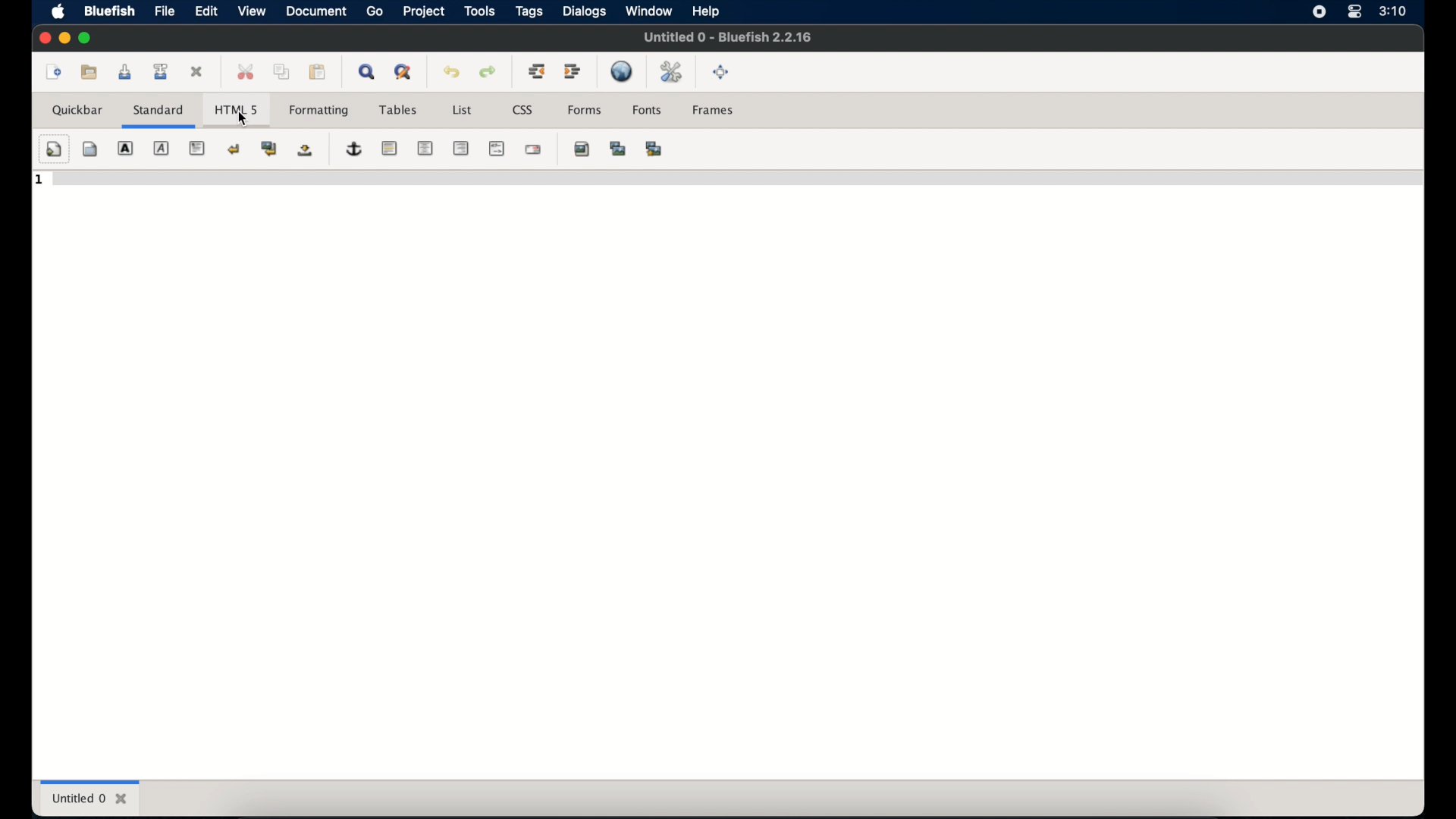 This screenshot has height=819, width=1456. What do you see at coordinates (161, 71) in the screenshot?
I see `save file as` at bounding box center [161, 71].